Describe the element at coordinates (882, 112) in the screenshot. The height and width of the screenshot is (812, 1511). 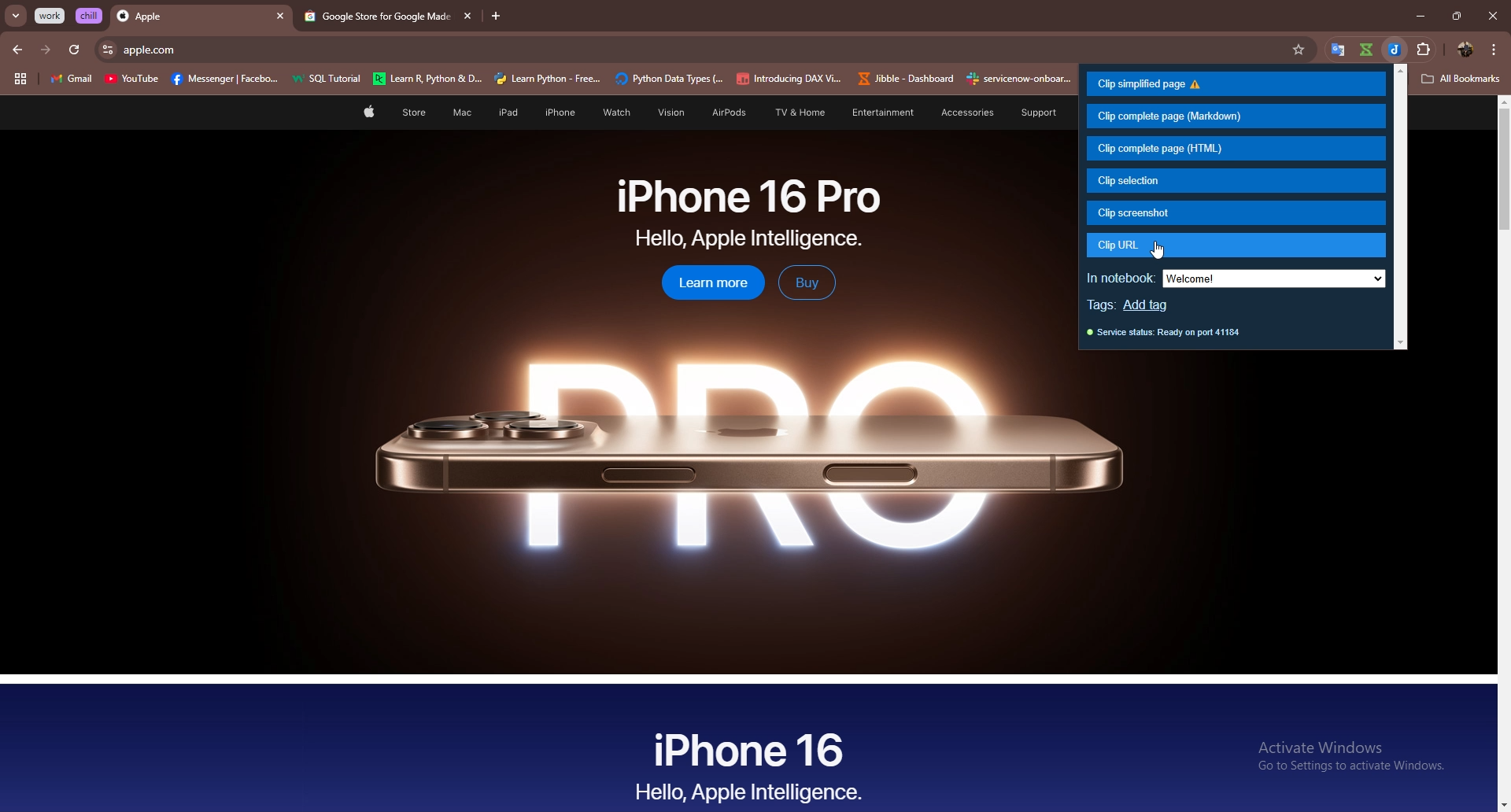
I see `Entertainment` at that location.